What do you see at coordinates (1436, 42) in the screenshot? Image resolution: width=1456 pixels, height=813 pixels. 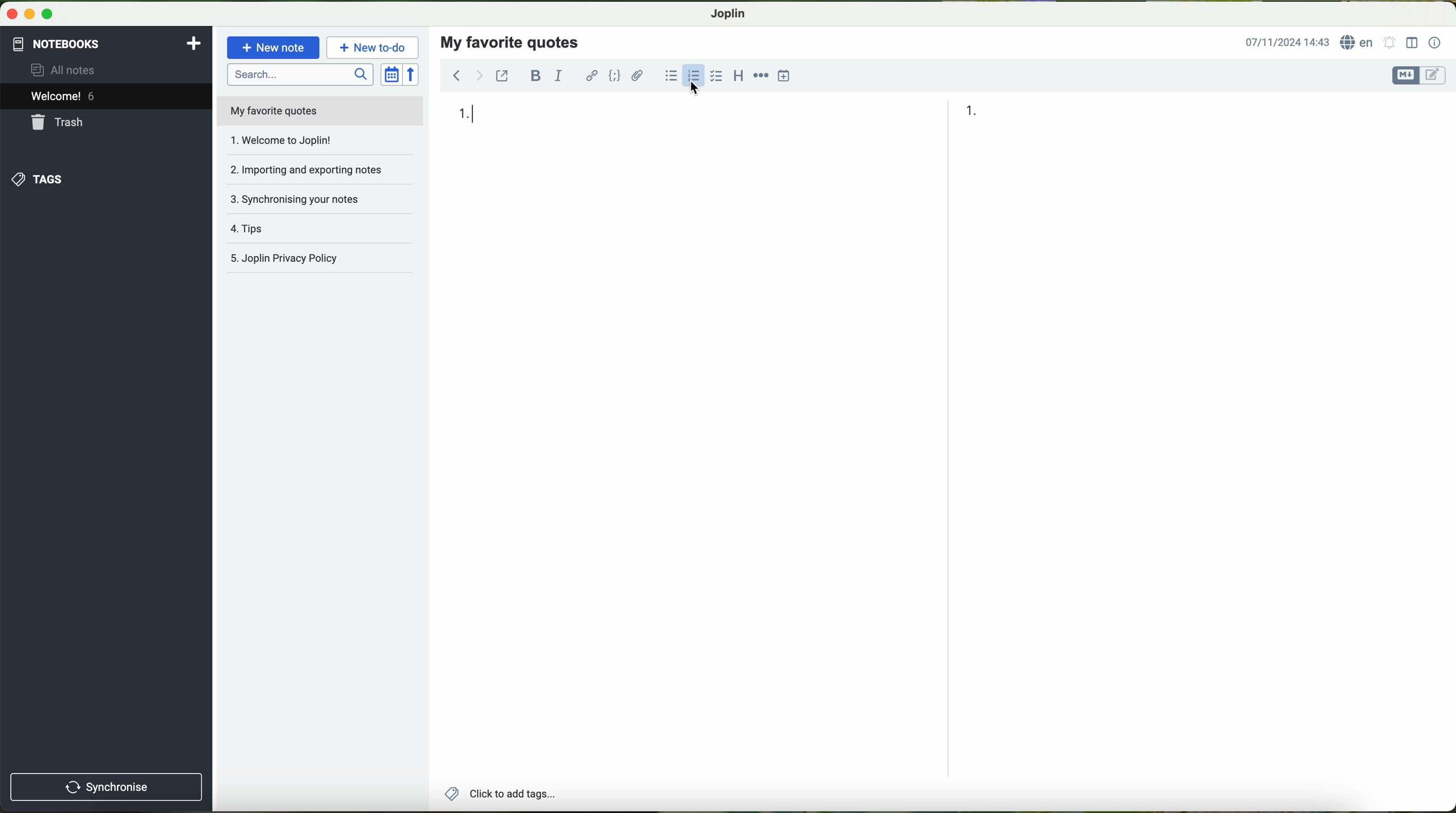 I see `note properties` at bounding box center [1436, 42].